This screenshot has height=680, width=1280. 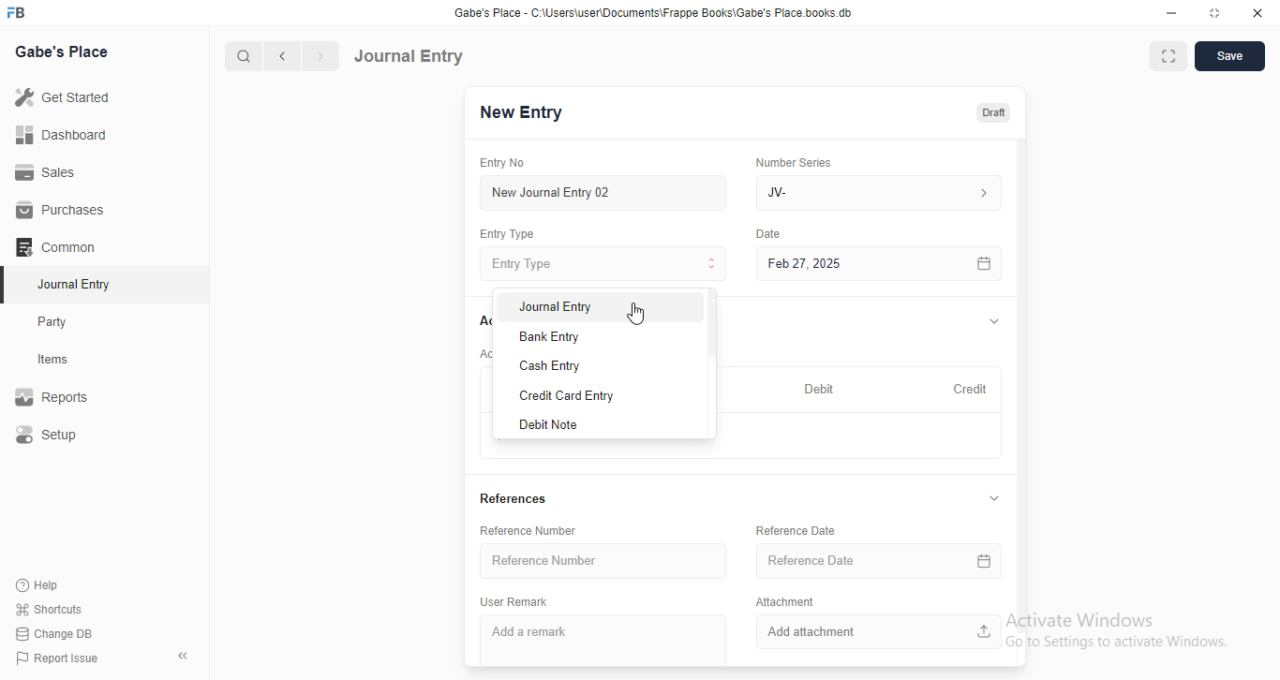 What do you see at coordinates (883, 264) in the screenshot?
I see `Feb 27, 2025` at bounding box center [883, 264].